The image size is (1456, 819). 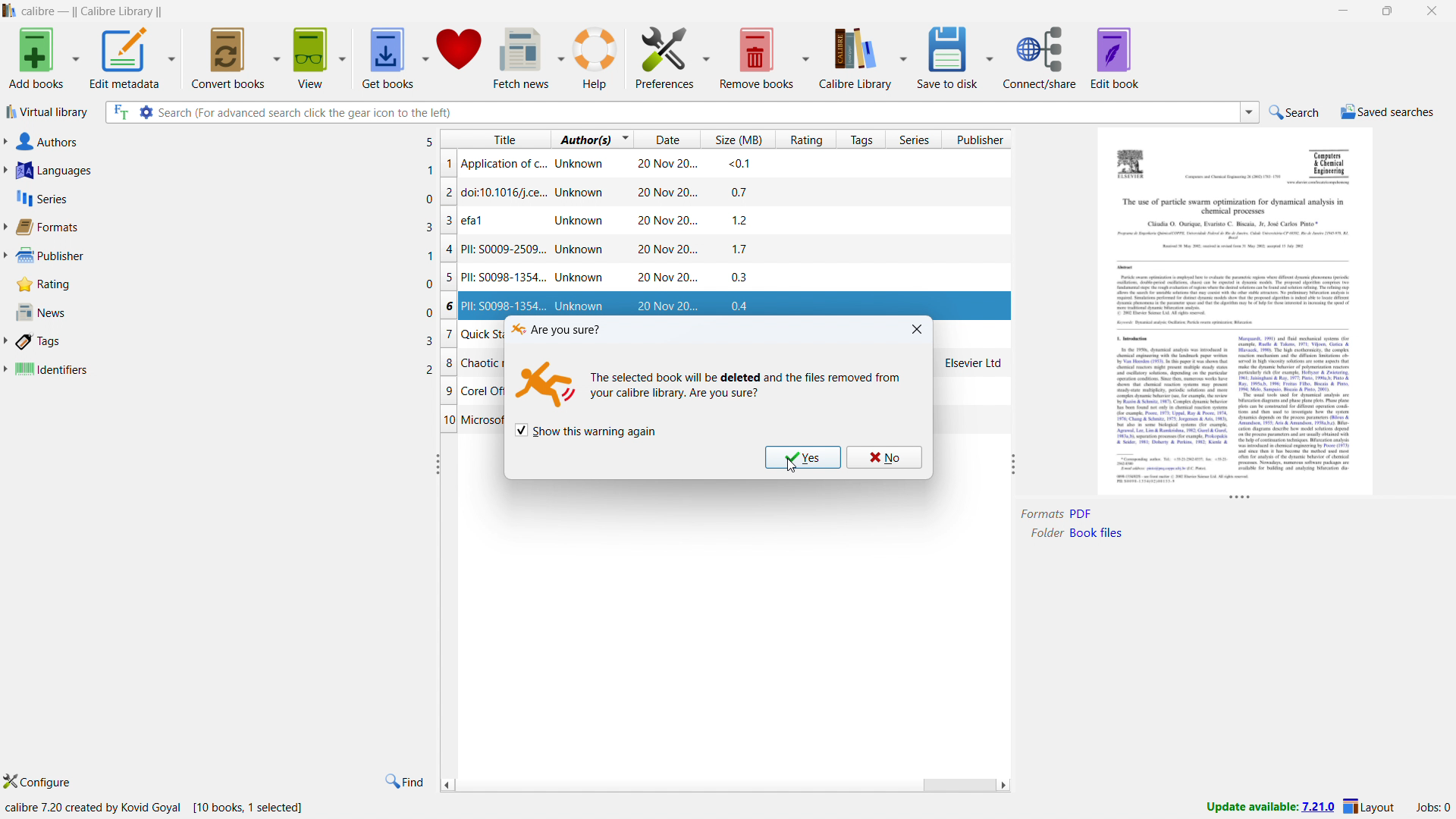 What do you see at coordinates (1370, 807) in the screenshot?
I see `layout` at bounding box center [1370, 807].